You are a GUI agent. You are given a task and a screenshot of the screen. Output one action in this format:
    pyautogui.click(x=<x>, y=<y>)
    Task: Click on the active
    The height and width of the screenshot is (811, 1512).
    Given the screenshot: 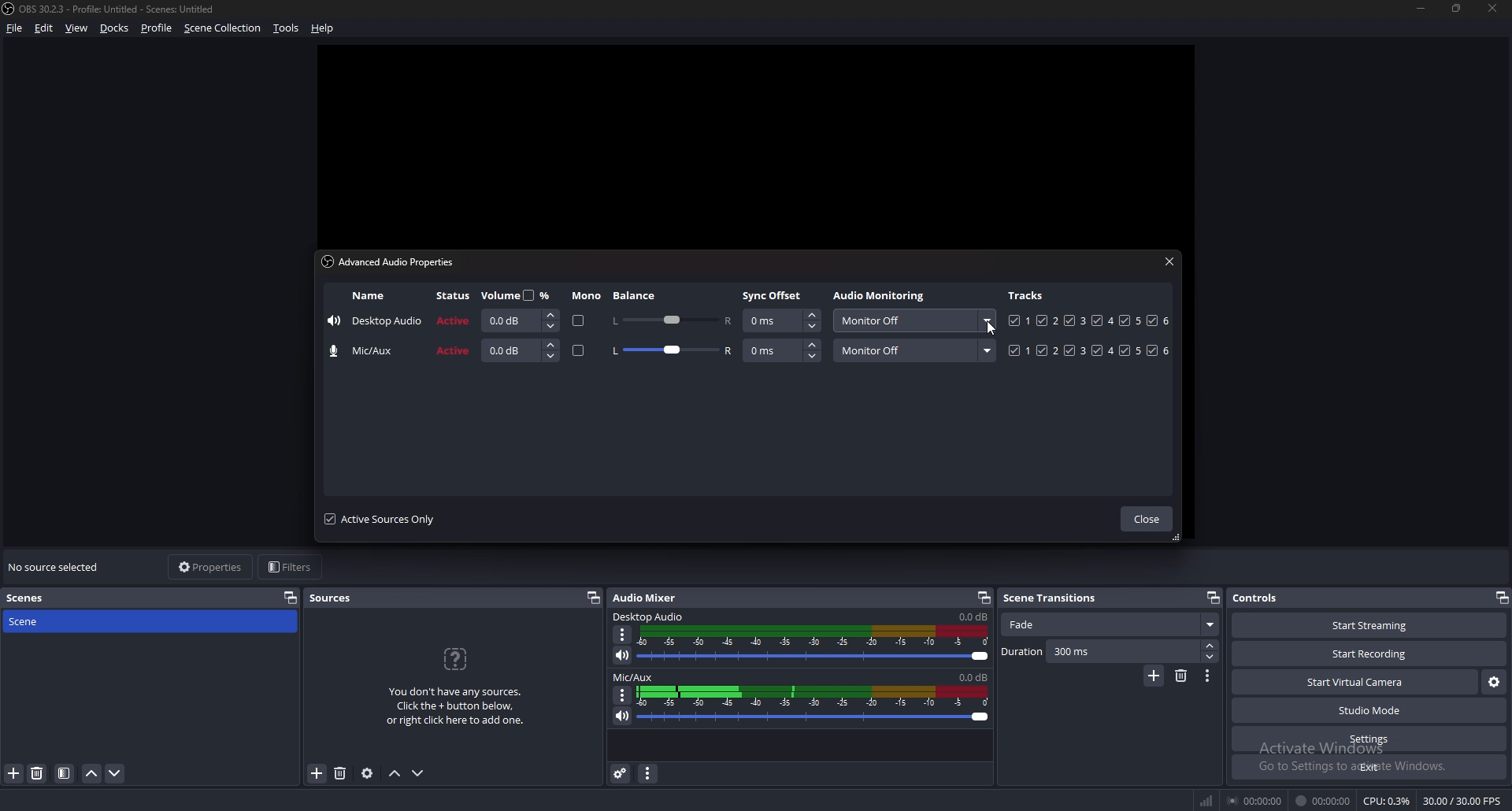 What is the action you would take?
    pyautogui.click(x=454, y=352)
    